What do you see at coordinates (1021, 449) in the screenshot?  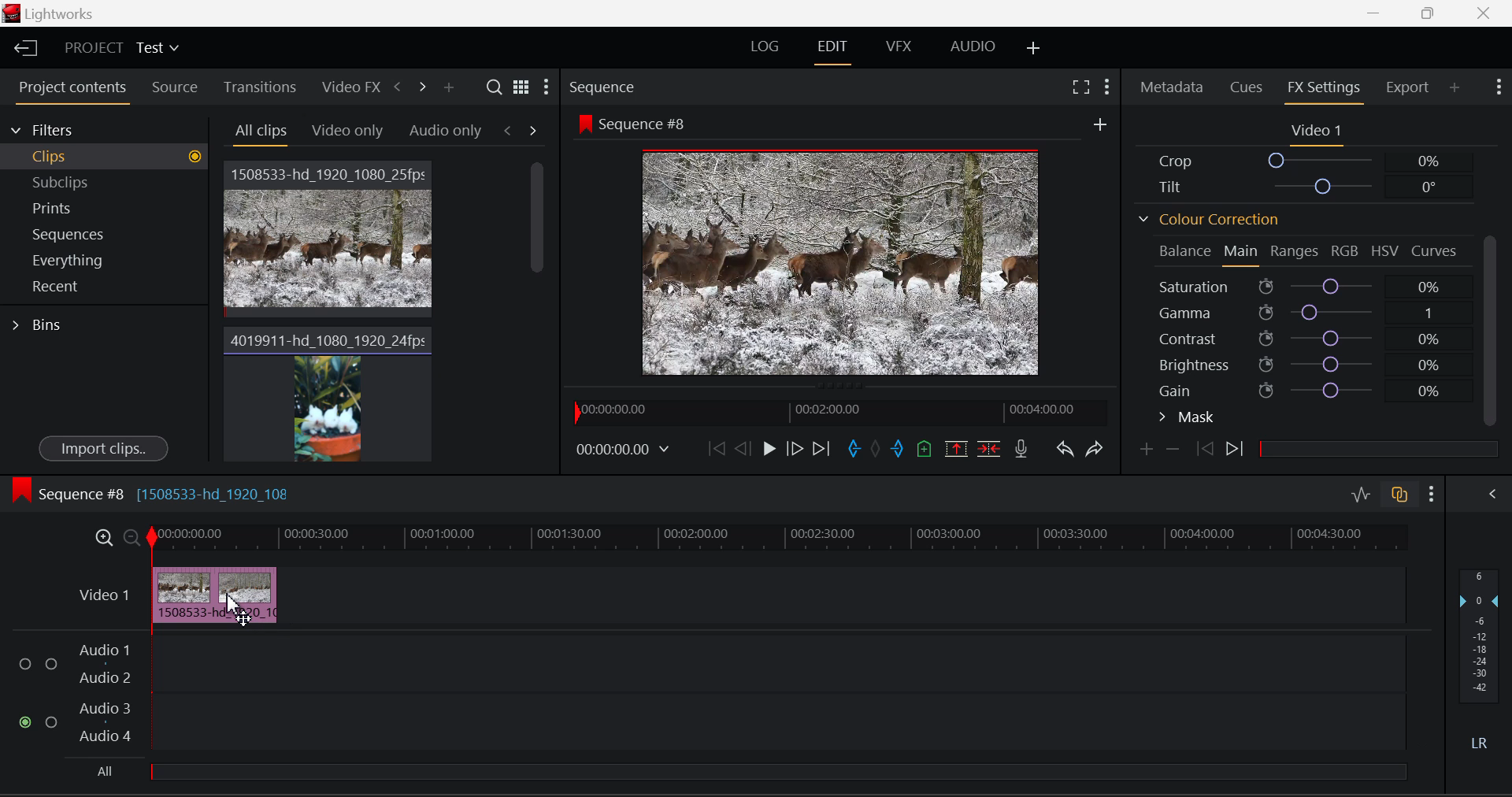 I see `Record Voice-over` at bounding box center [1021, 449].